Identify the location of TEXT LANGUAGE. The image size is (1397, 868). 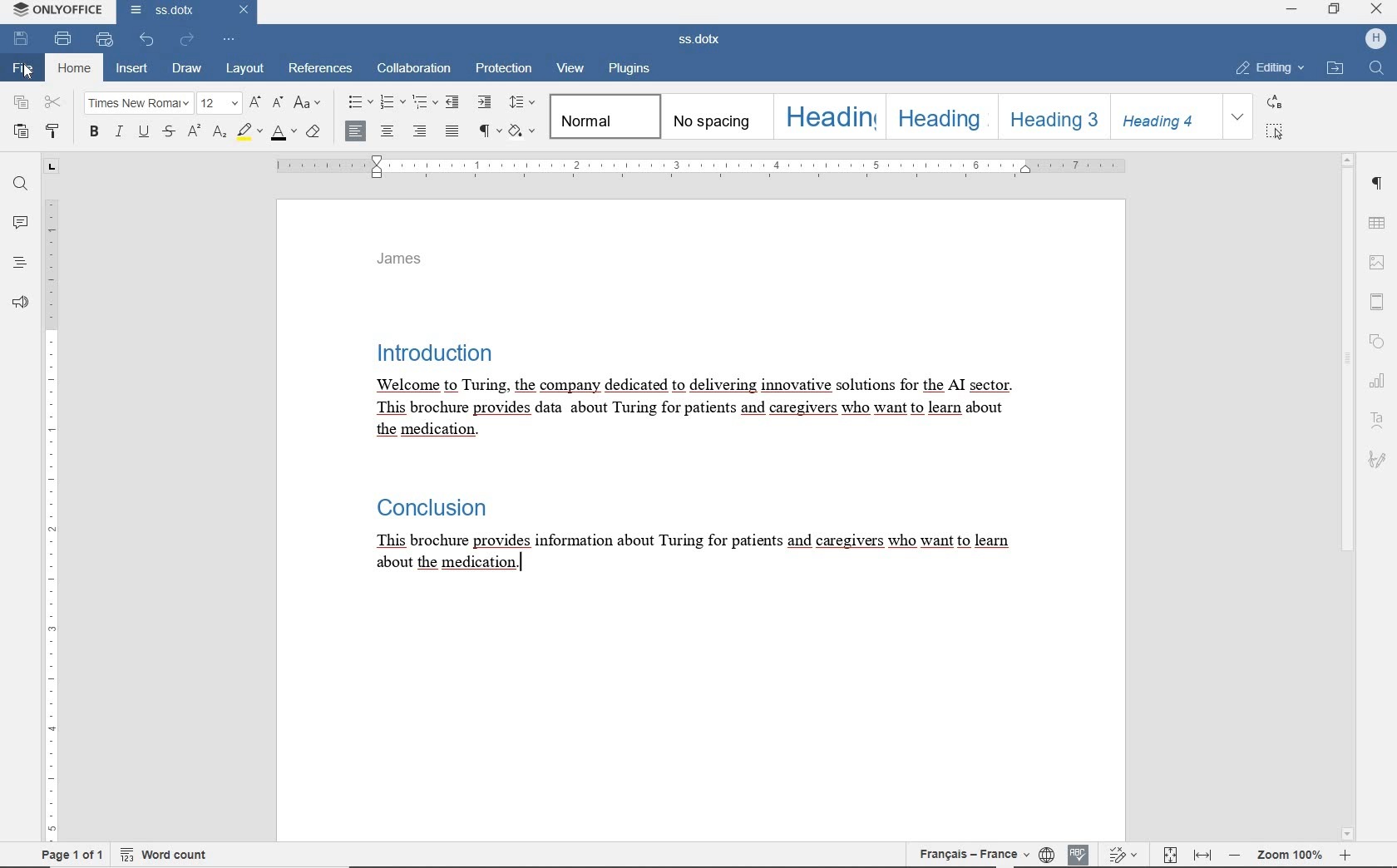
(970, 852).